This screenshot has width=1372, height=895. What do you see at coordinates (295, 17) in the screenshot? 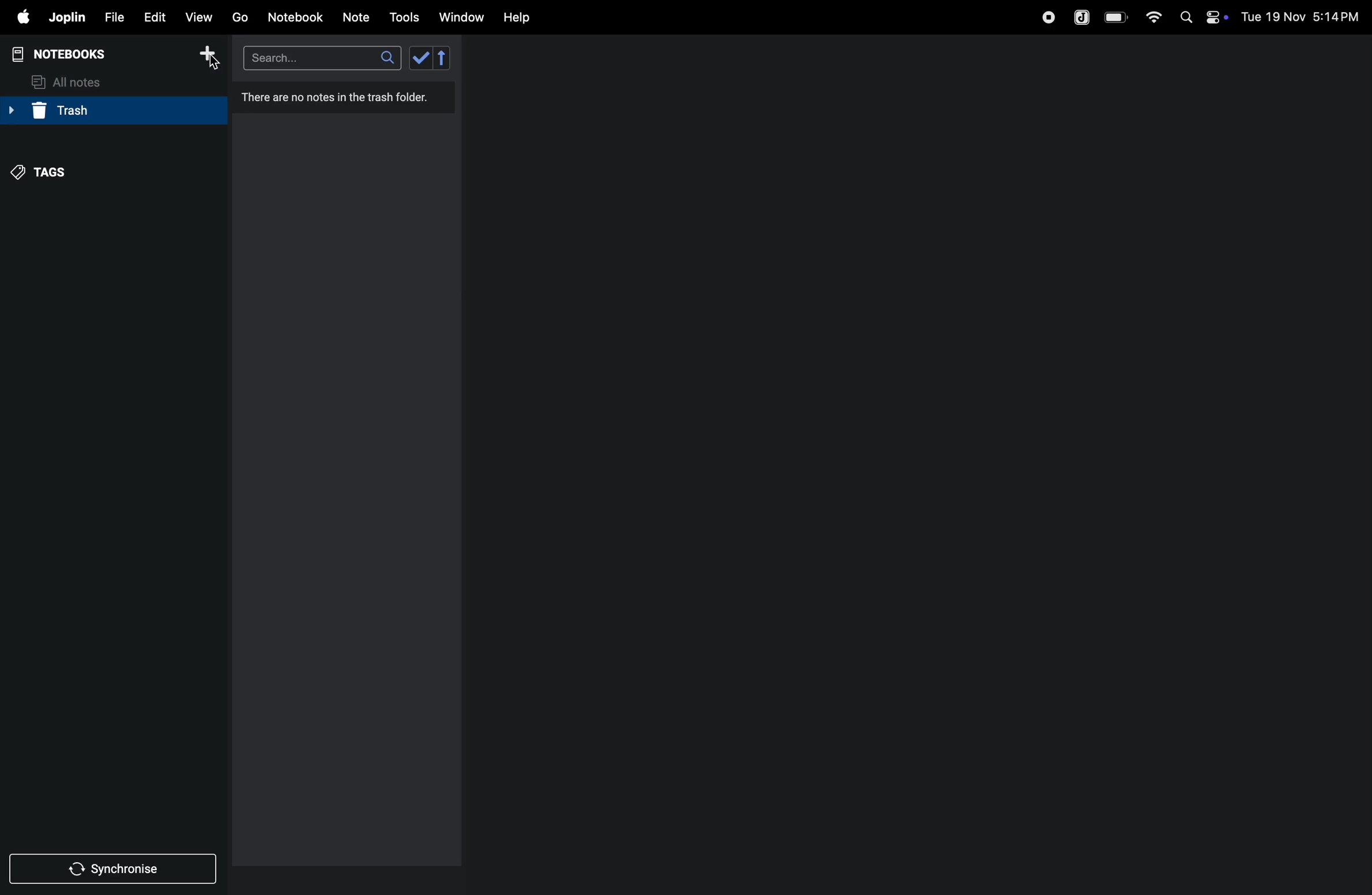
I see `notebook` at bounding box center [295, 17].